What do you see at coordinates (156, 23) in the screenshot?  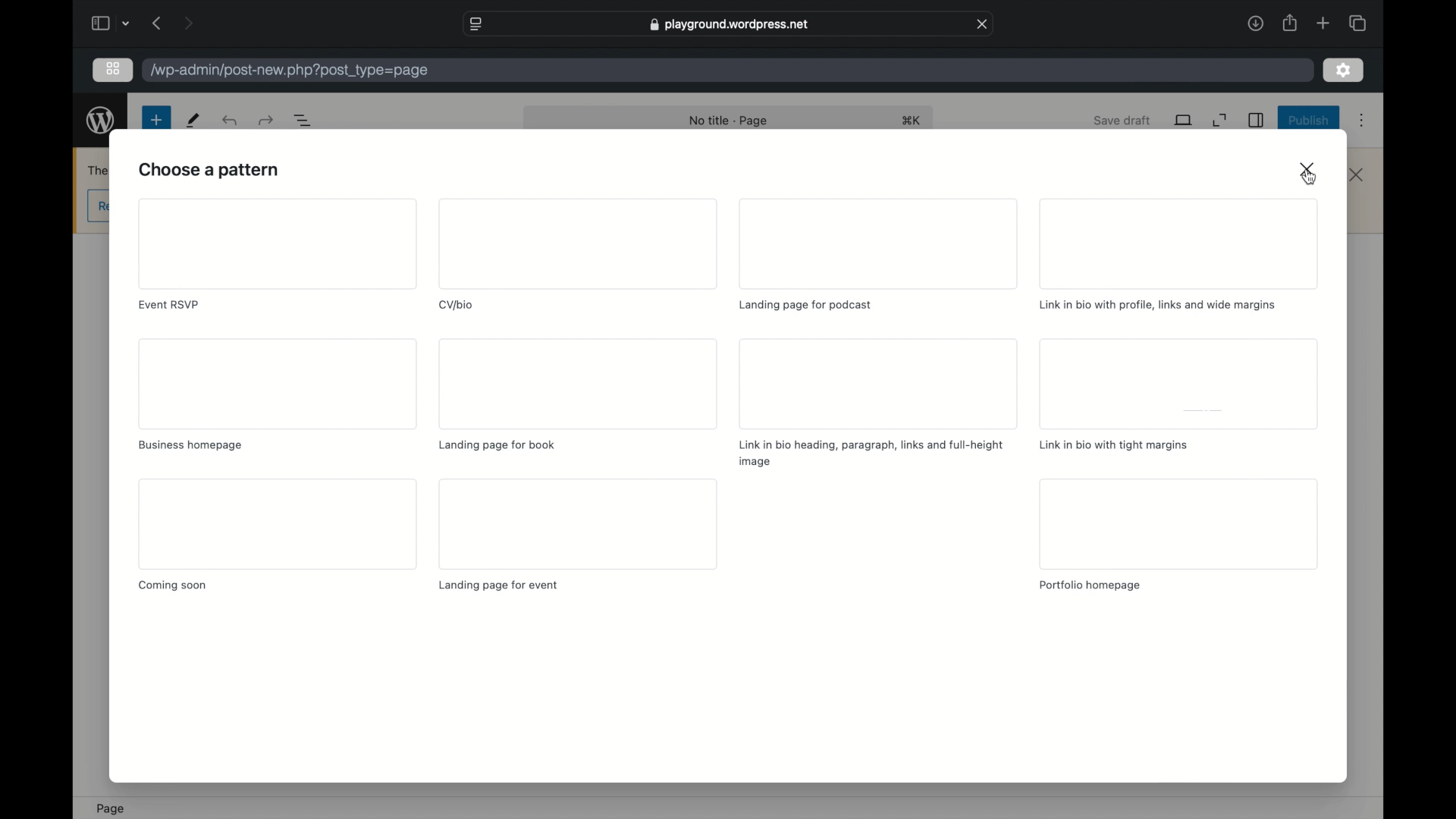 I see `previous page` at bounding box center [156, 23].